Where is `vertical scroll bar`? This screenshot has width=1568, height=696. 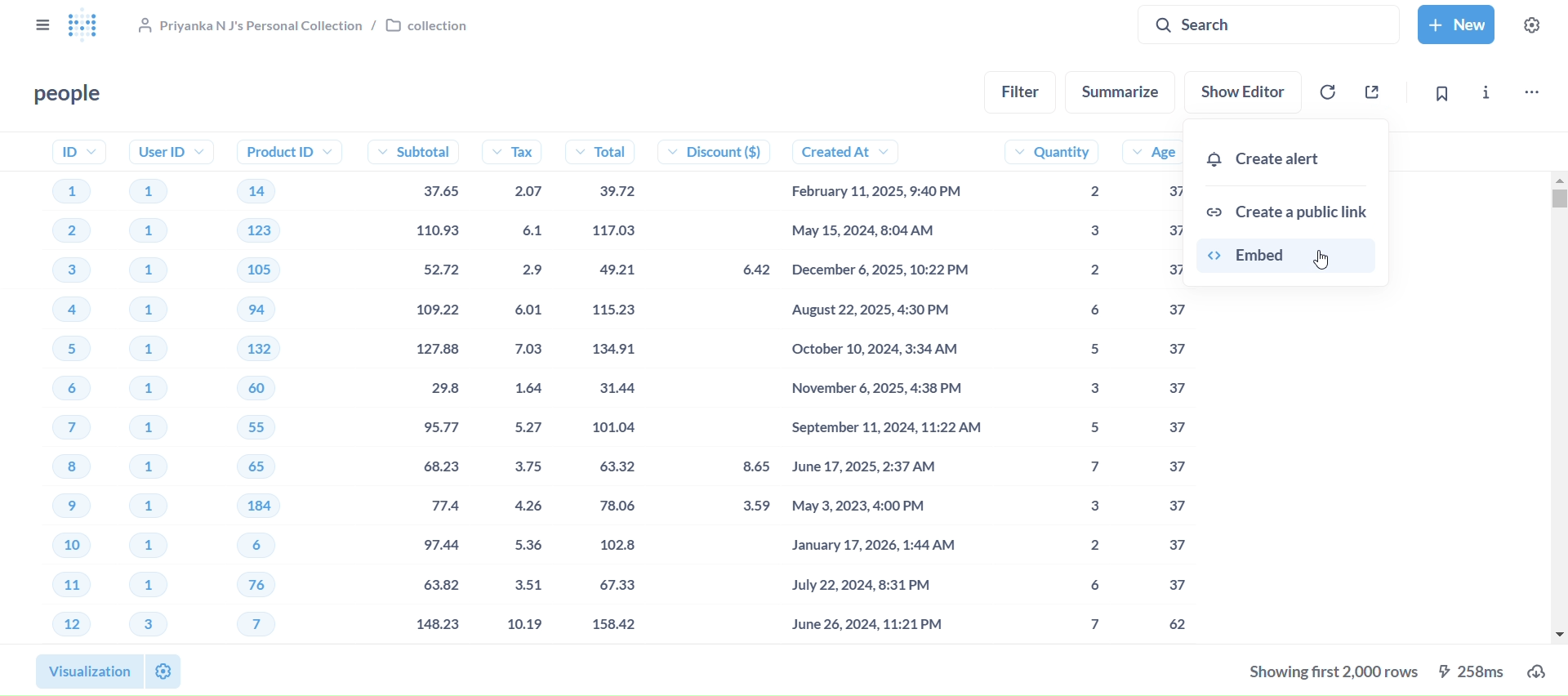
vertical scroll bar is located at coordinates (1560, 406).